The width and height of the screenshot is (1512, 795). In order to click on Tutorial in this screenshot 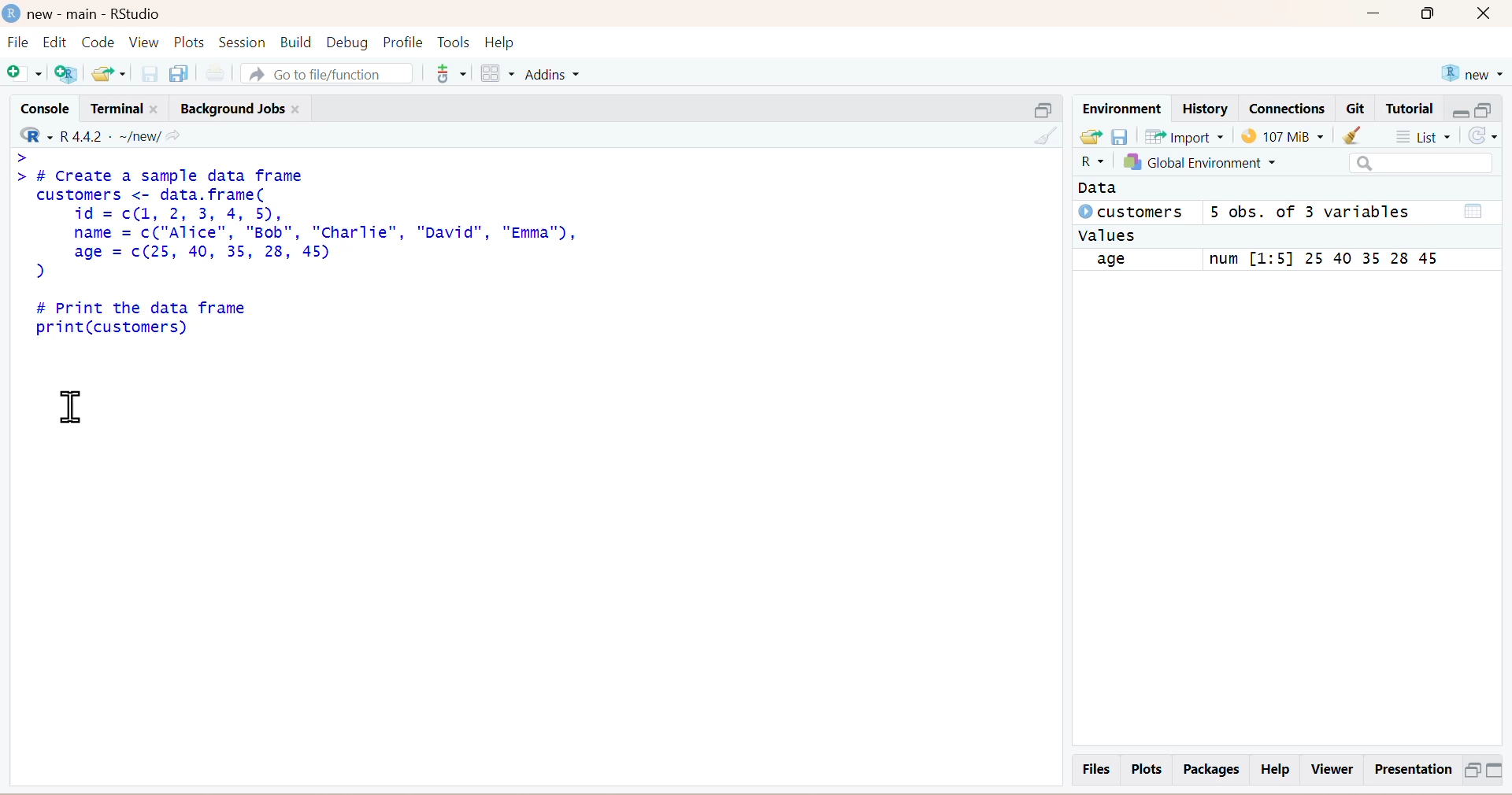, I will do `click(1412, 109)`.